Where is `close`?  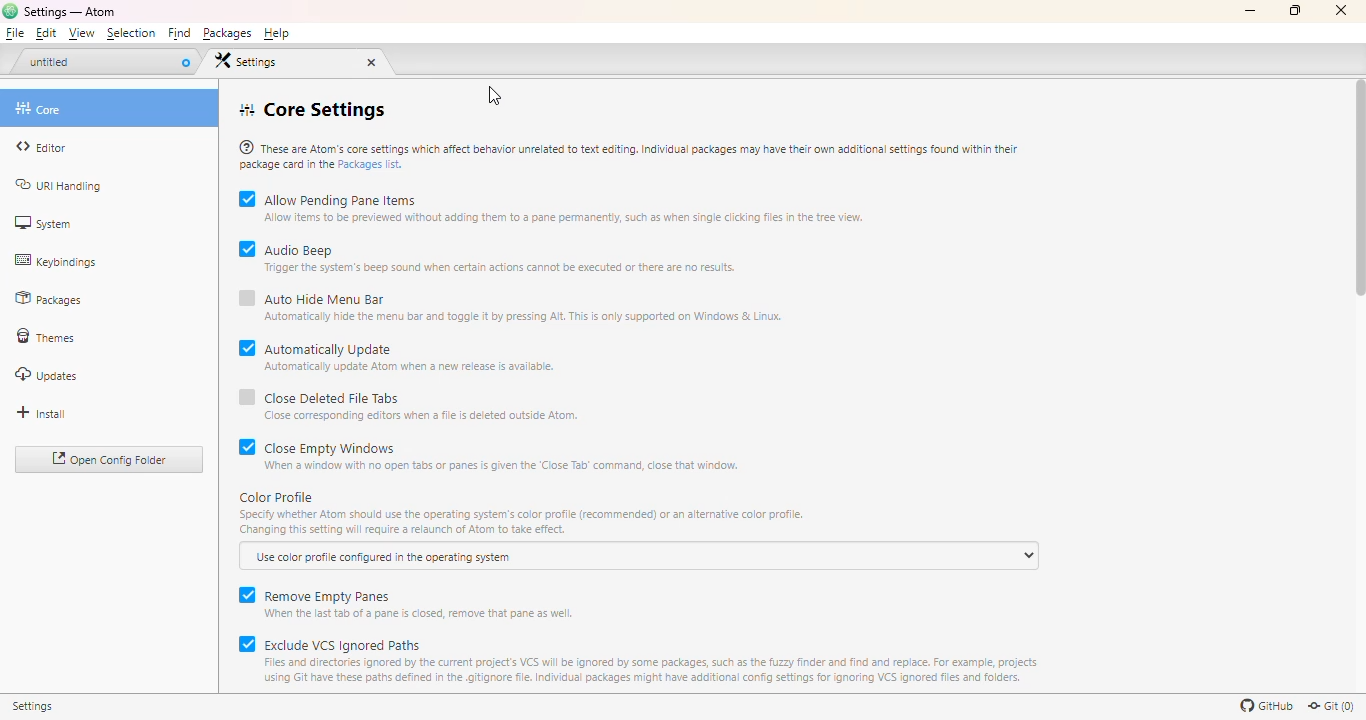
close is located at coordinates (1341, 11).